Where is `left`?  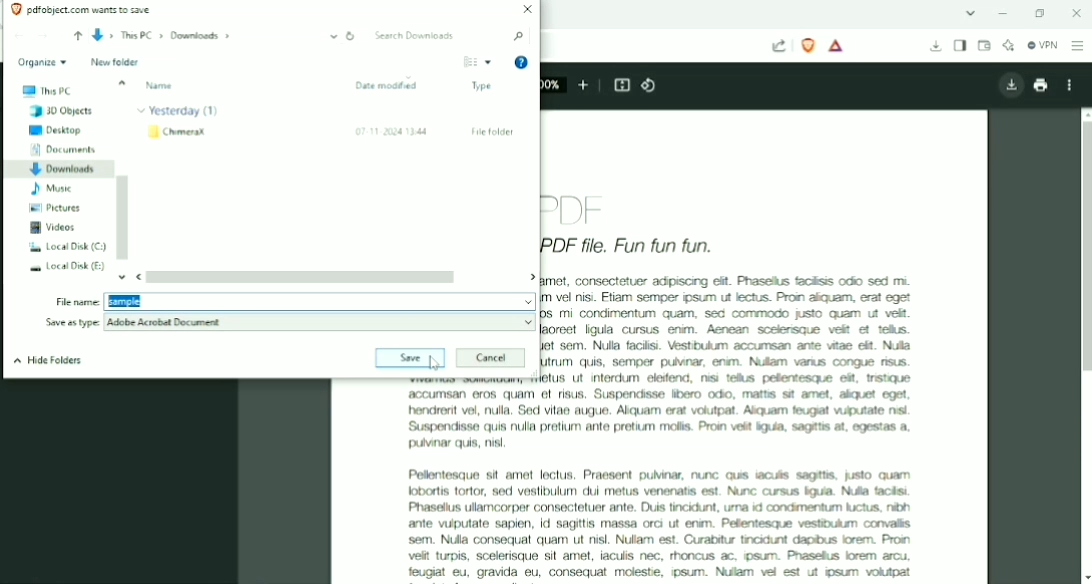 left is located at coordinates (137, 277).